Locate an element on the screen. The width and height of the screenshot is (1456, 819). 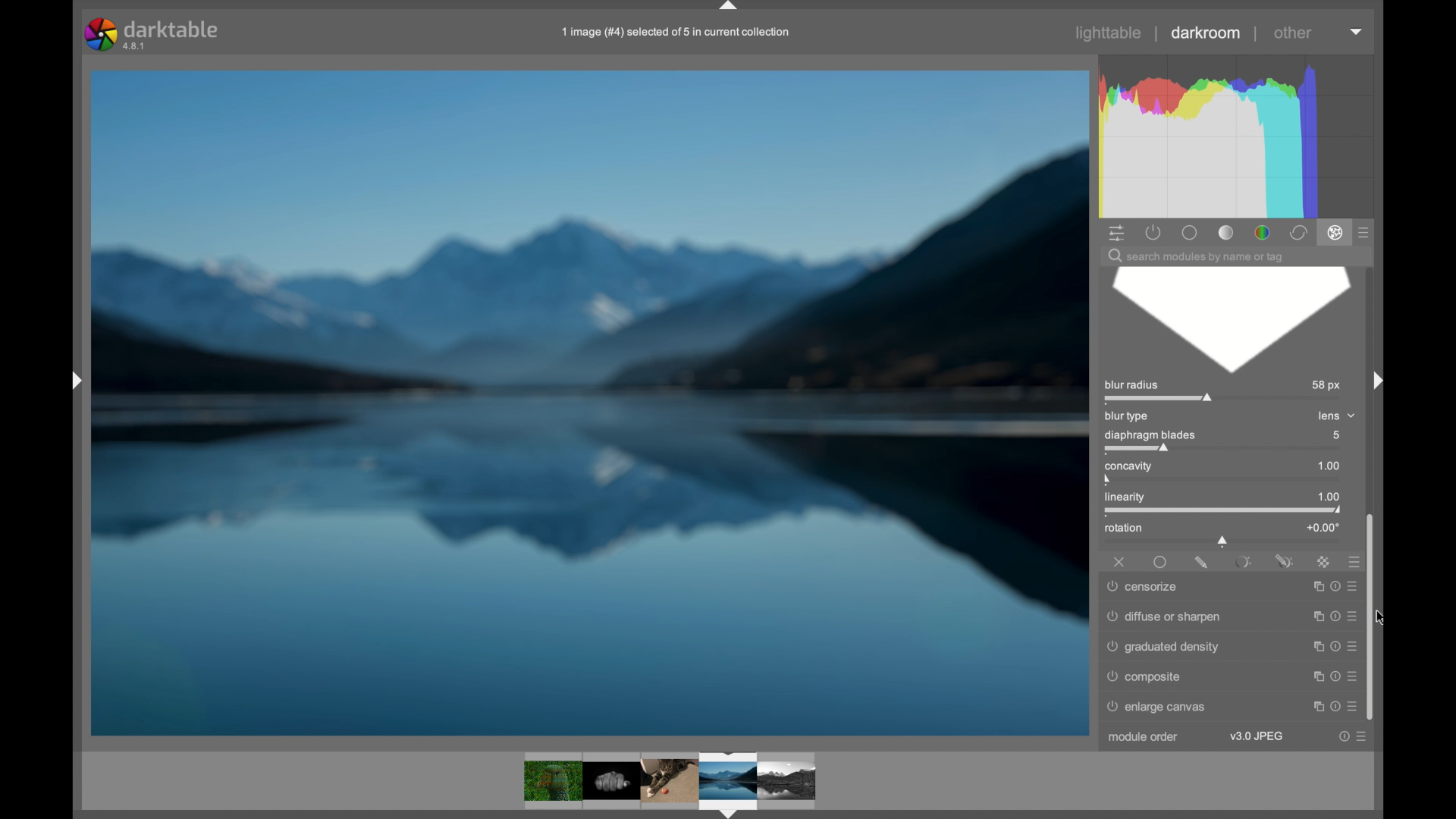
dropdown menu is located at coordinates (1357, 33).